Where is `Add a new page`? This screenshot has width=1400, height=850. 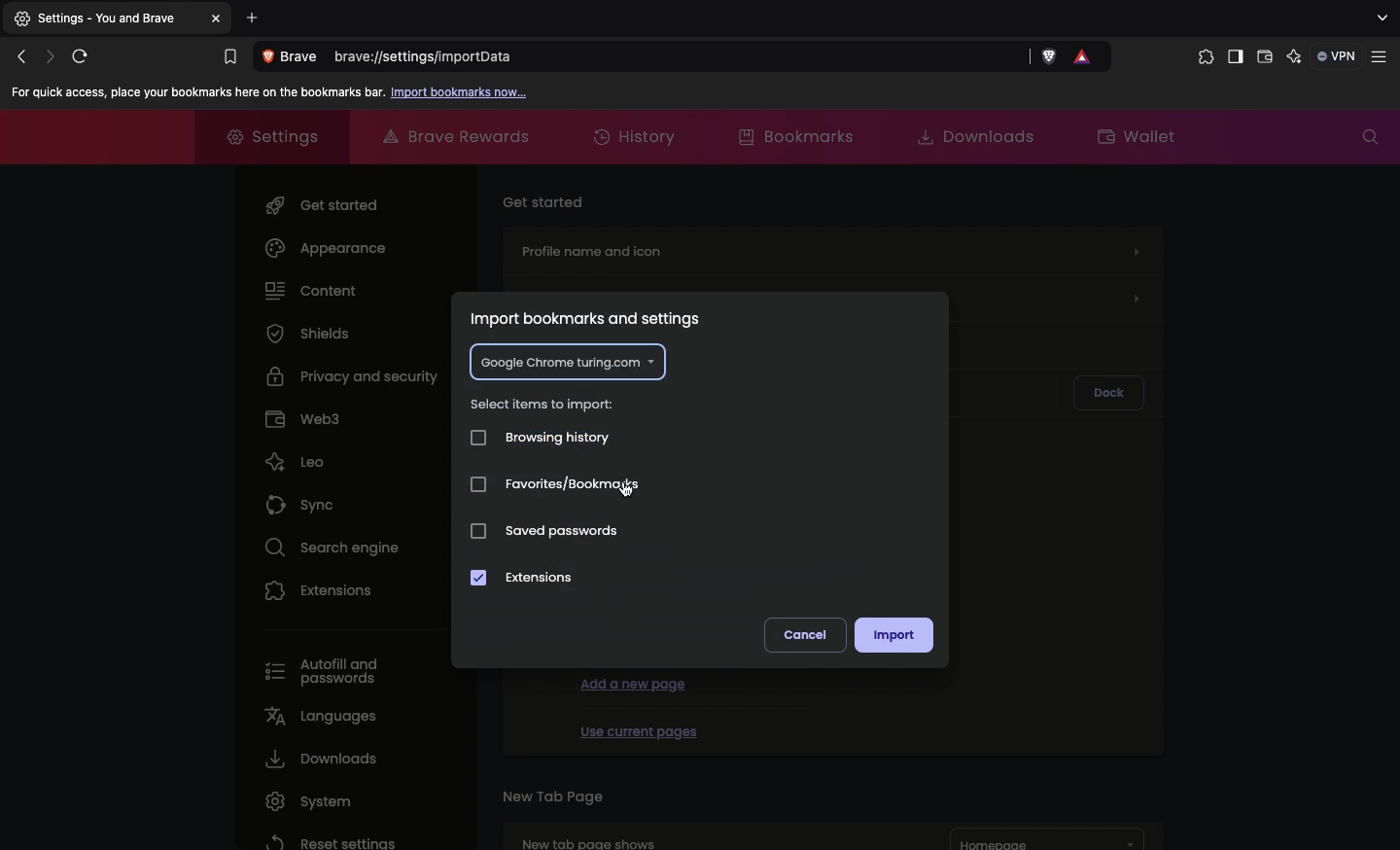
Add a new page is located at coordinates (634, 683).